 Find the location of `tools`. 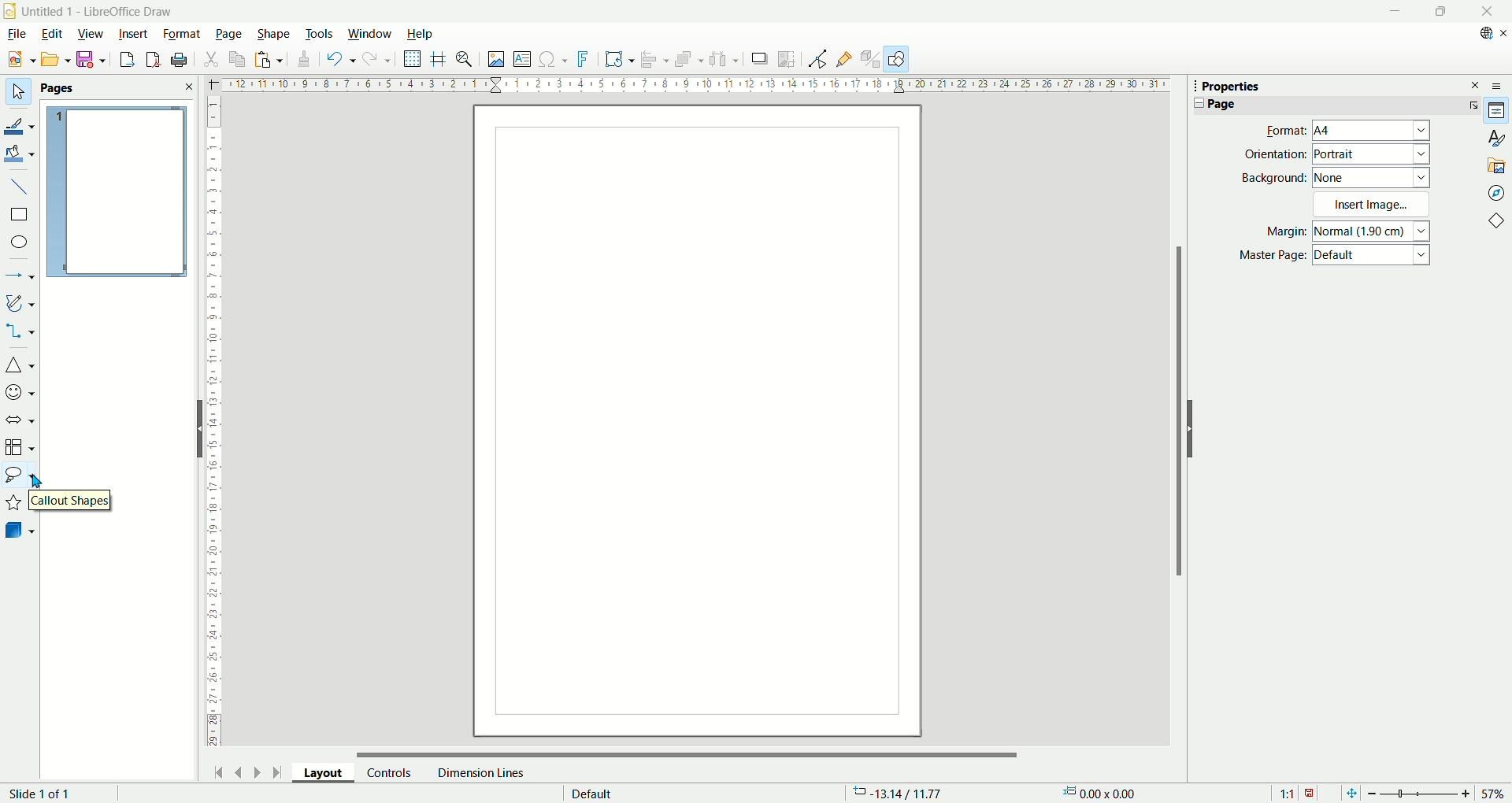

tools is located at coordinates (321, 32).